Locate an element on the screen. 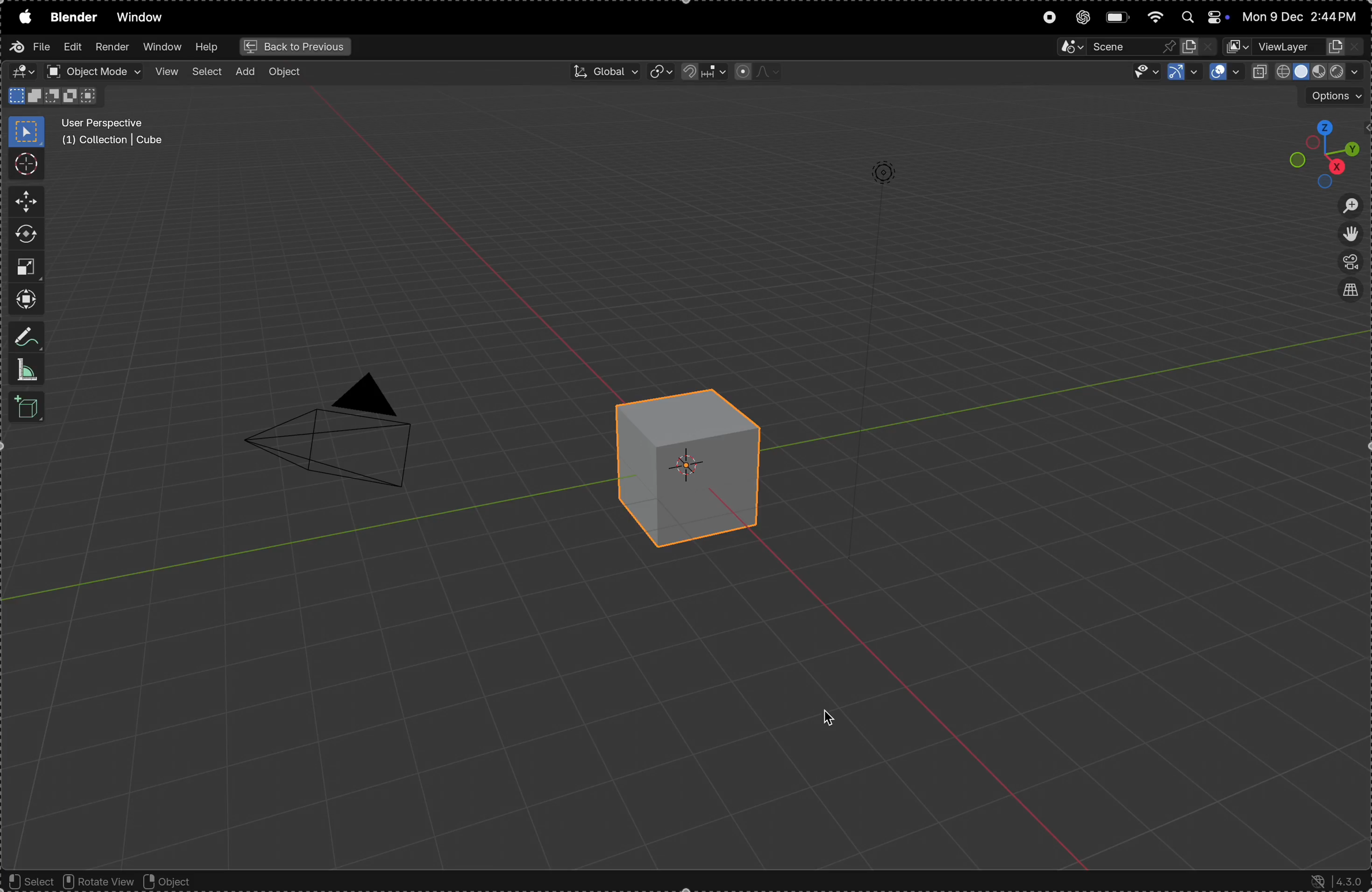  visibility is located at coordinates (1145, 73).